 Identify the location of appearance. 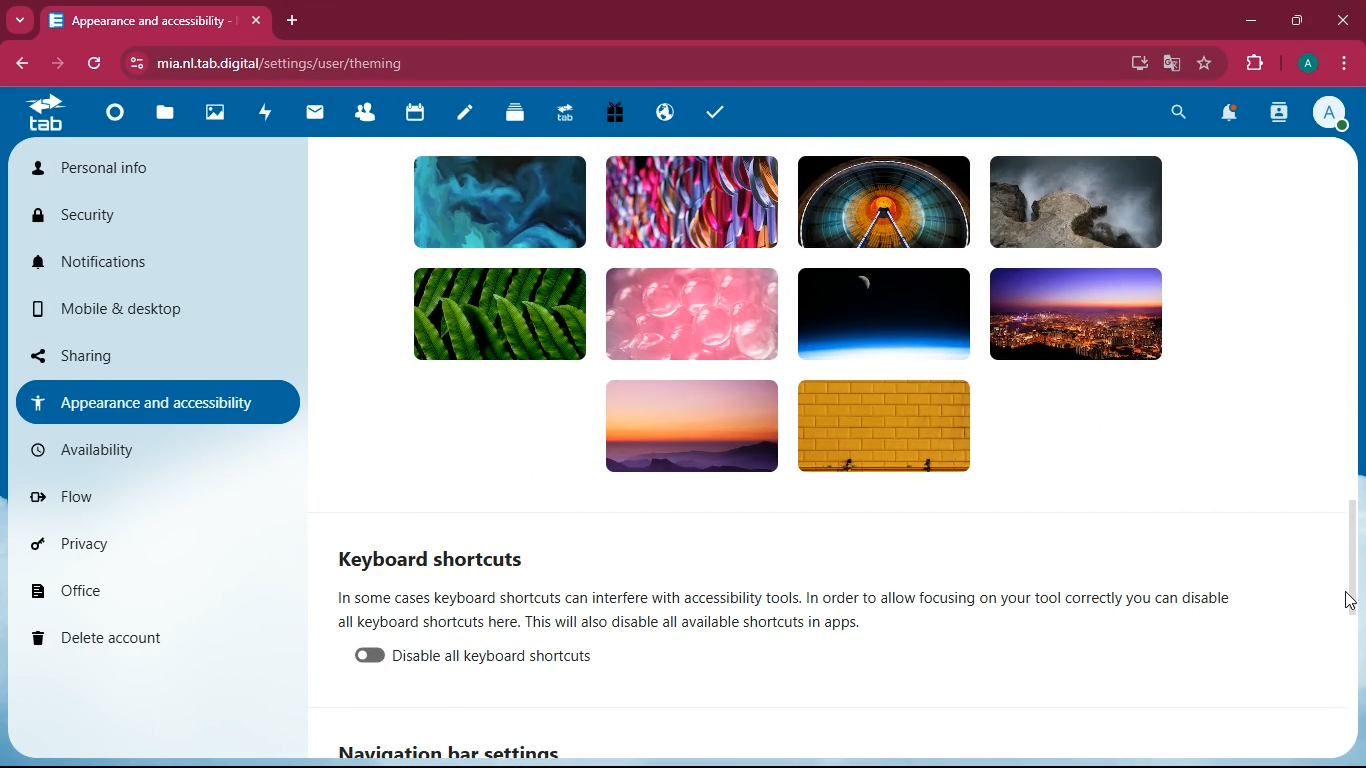
(150, 403).